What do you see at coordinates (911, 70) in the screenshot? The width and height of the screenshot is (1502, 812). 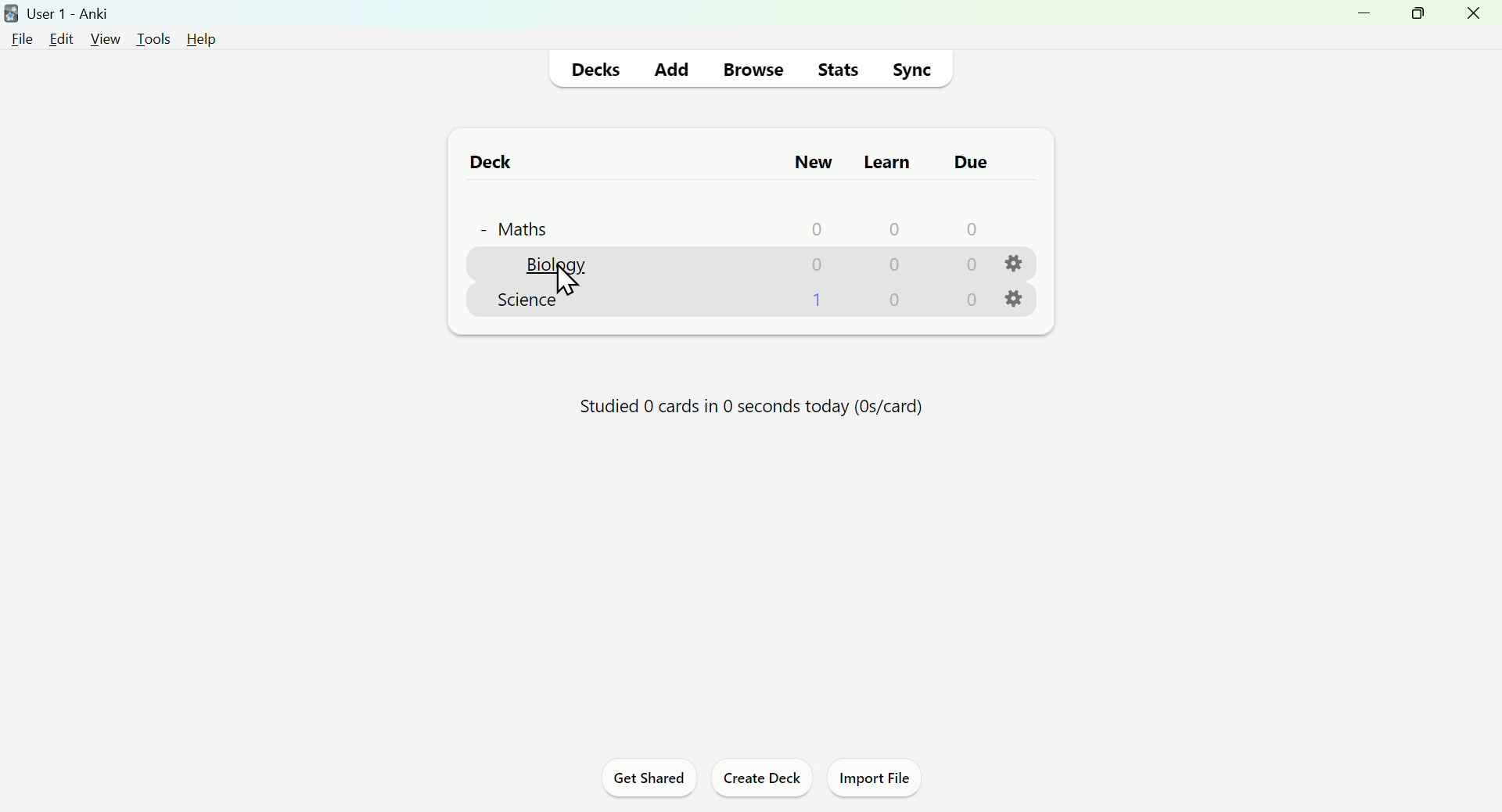 I see `Sync` at bounding box center [911, 70].